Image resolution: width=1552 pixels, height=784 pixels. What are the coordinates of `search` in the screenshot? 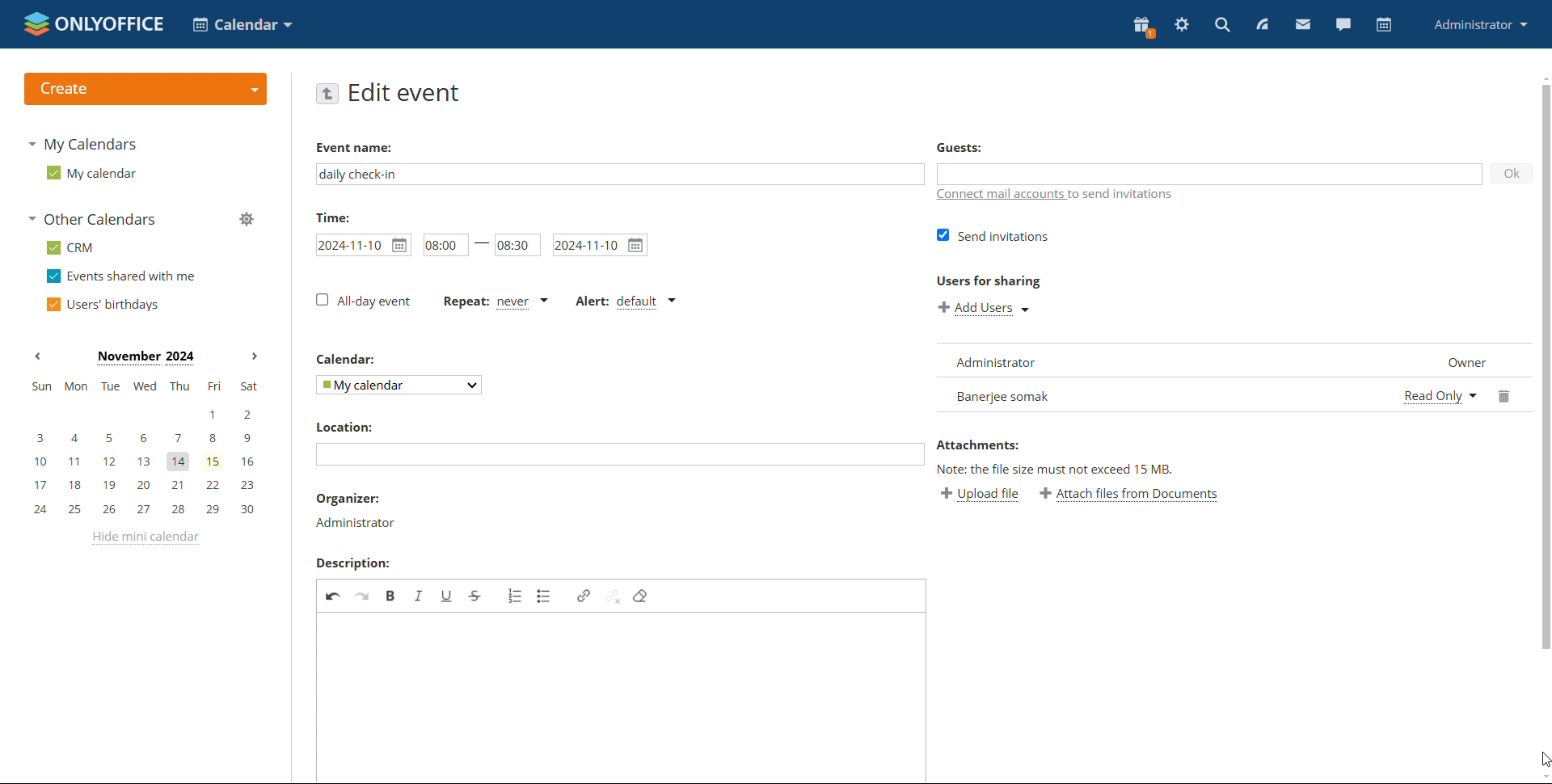 It's located at (1222, 24).